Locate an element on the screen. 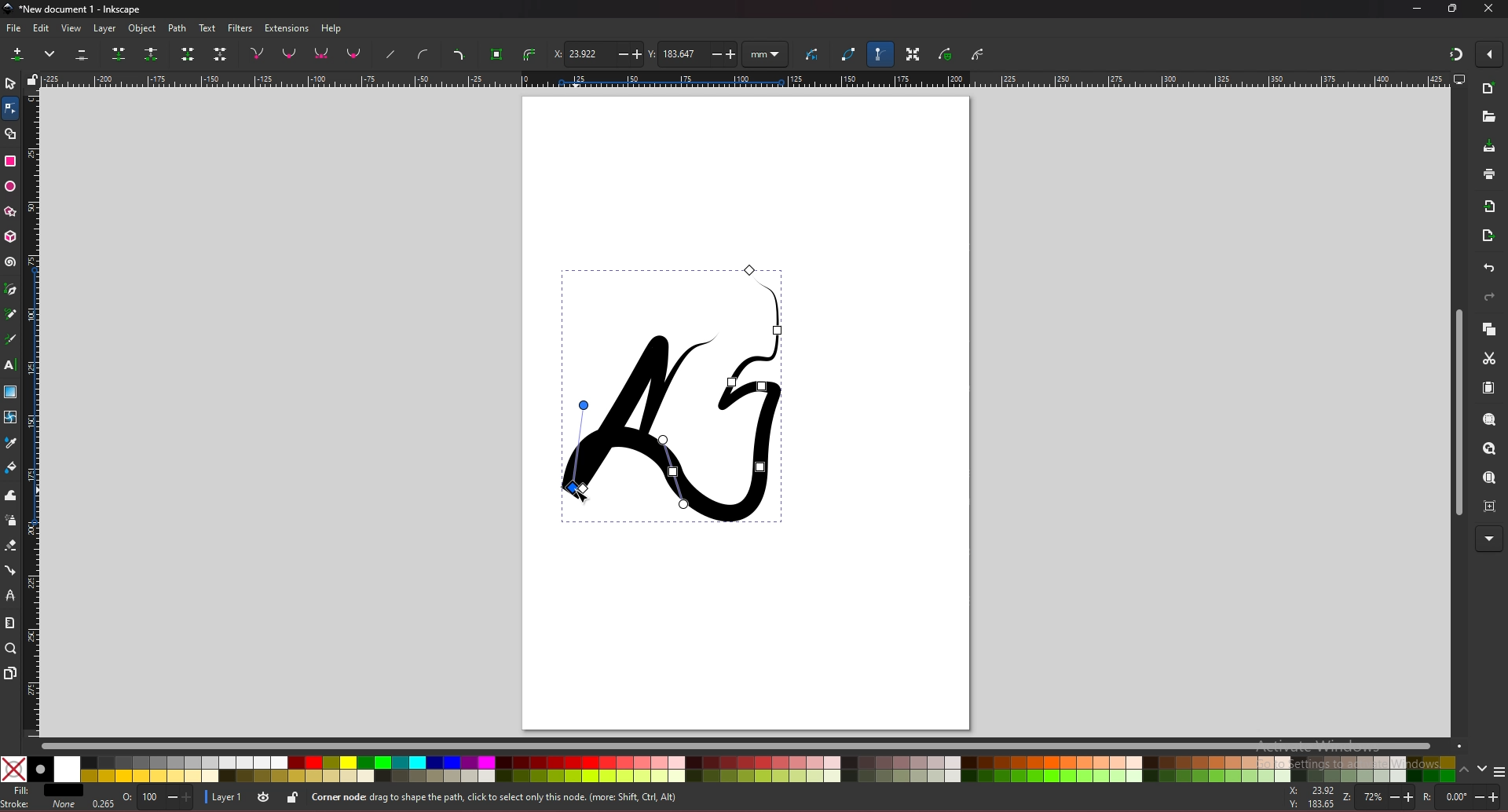 This screenshot has height=812, width=1508. lock guides is located at coordinates (32, 79).